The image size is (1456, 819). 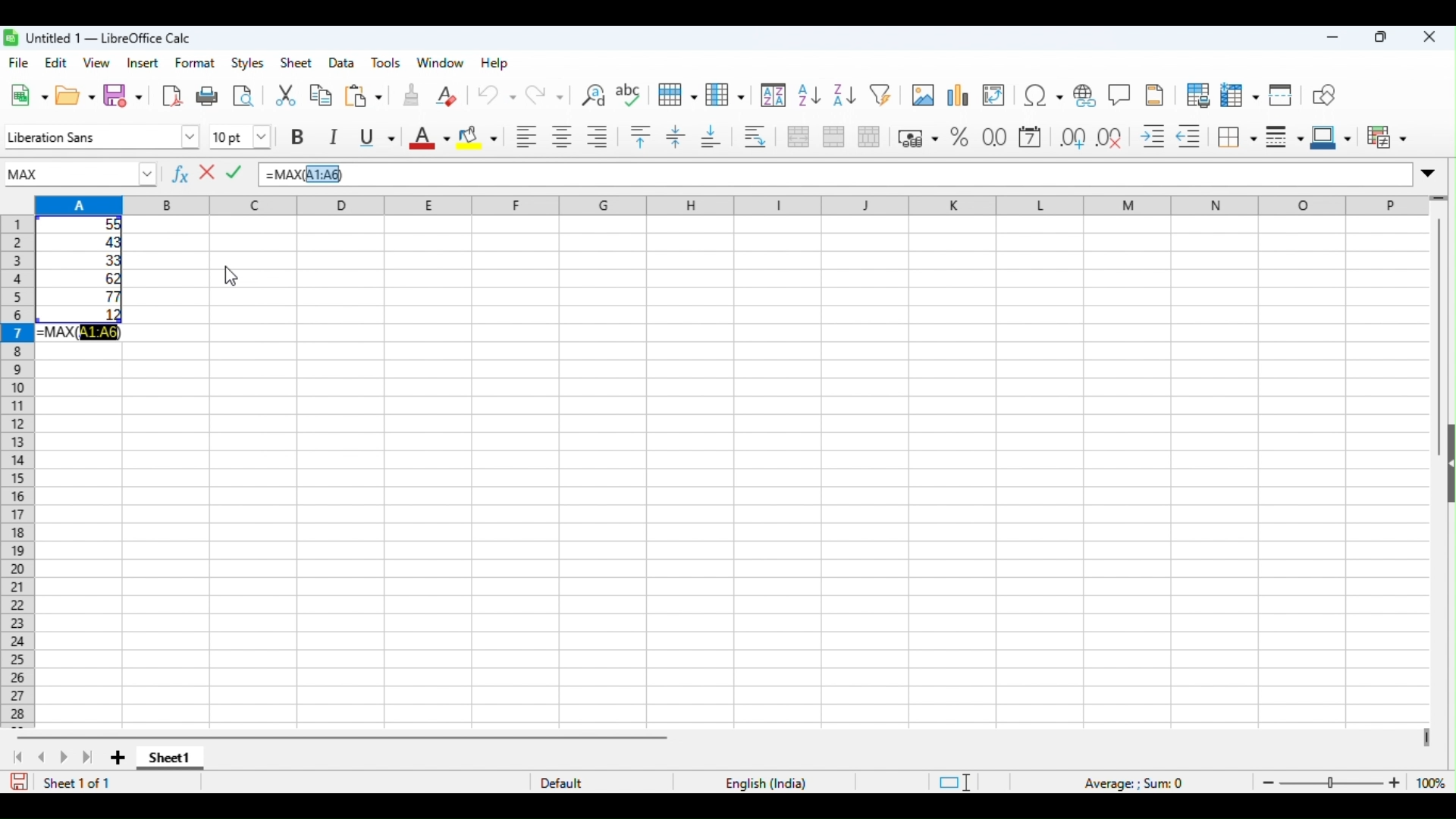 What do you see at coordinates (78, 783) in the screenshot?
I see `sheet 1 of 1` at bounding box center [78, 783].